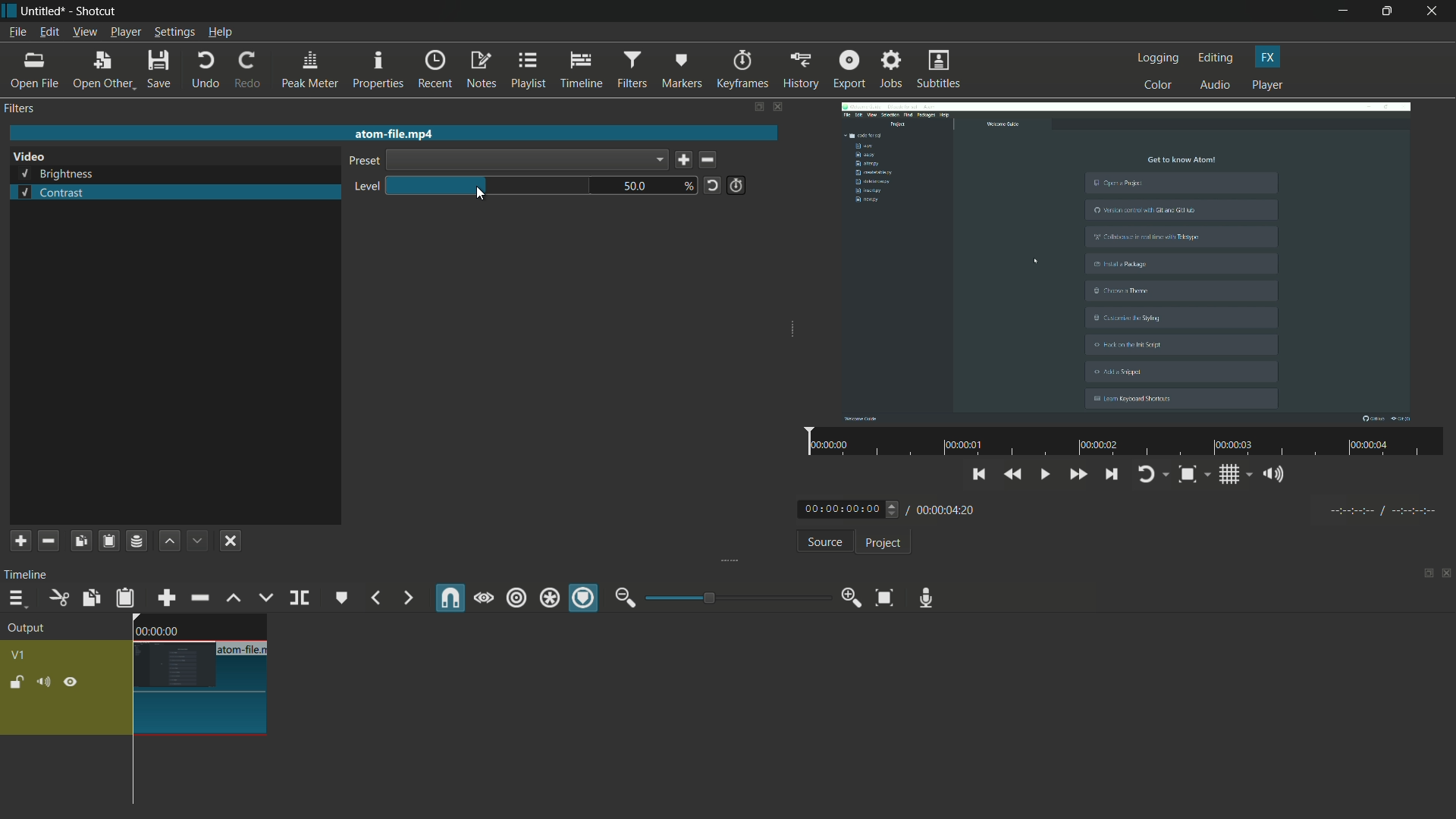  What do you see at coordinates (850, 508) in the screenshot?
I see `00:00:00:00 (current time)` at bounding box center [850, 508].